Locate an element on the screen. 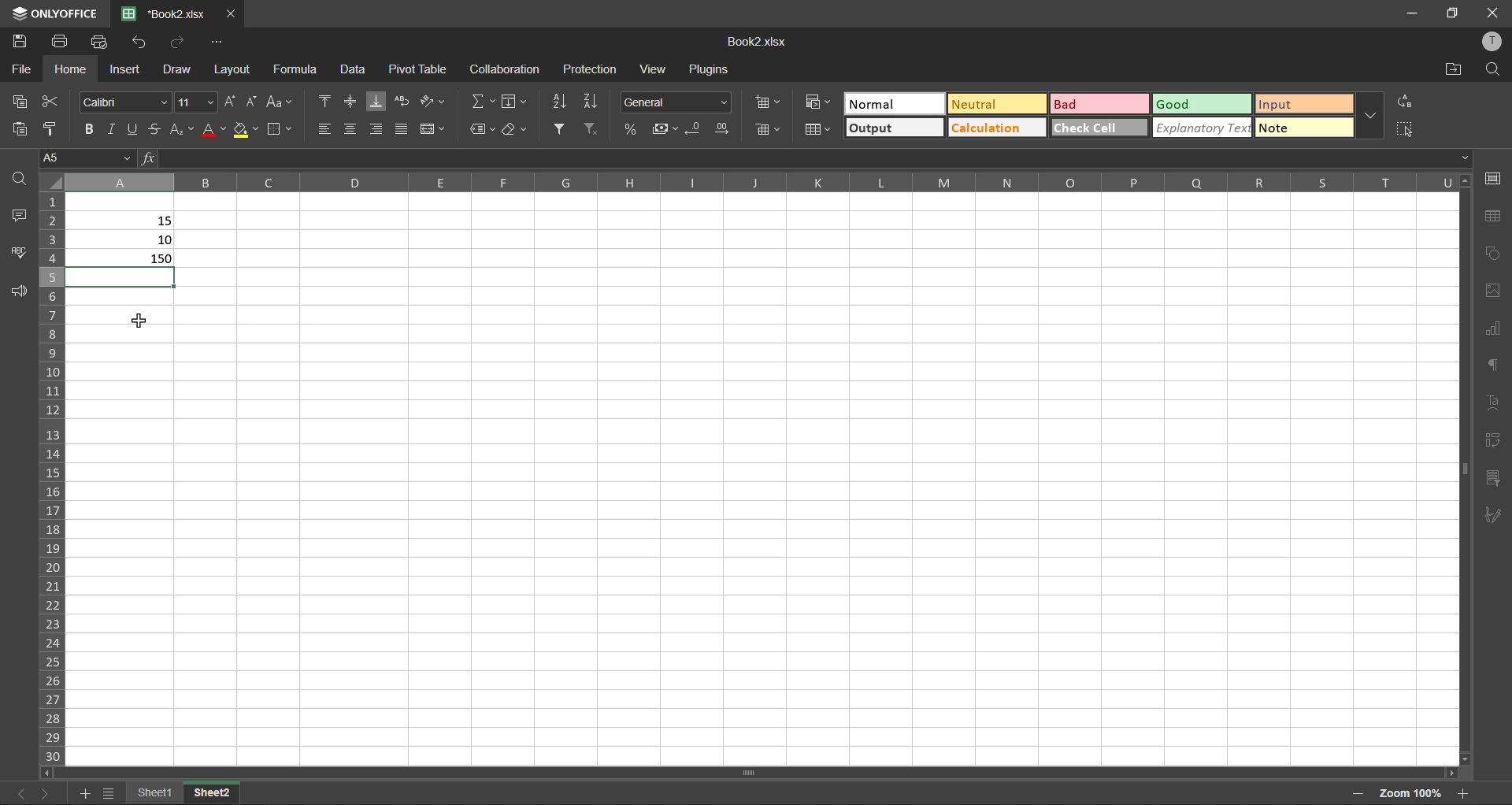 The width and height of the screenshot is (1512, 805). sheet list is located at coordinates (108, 794).